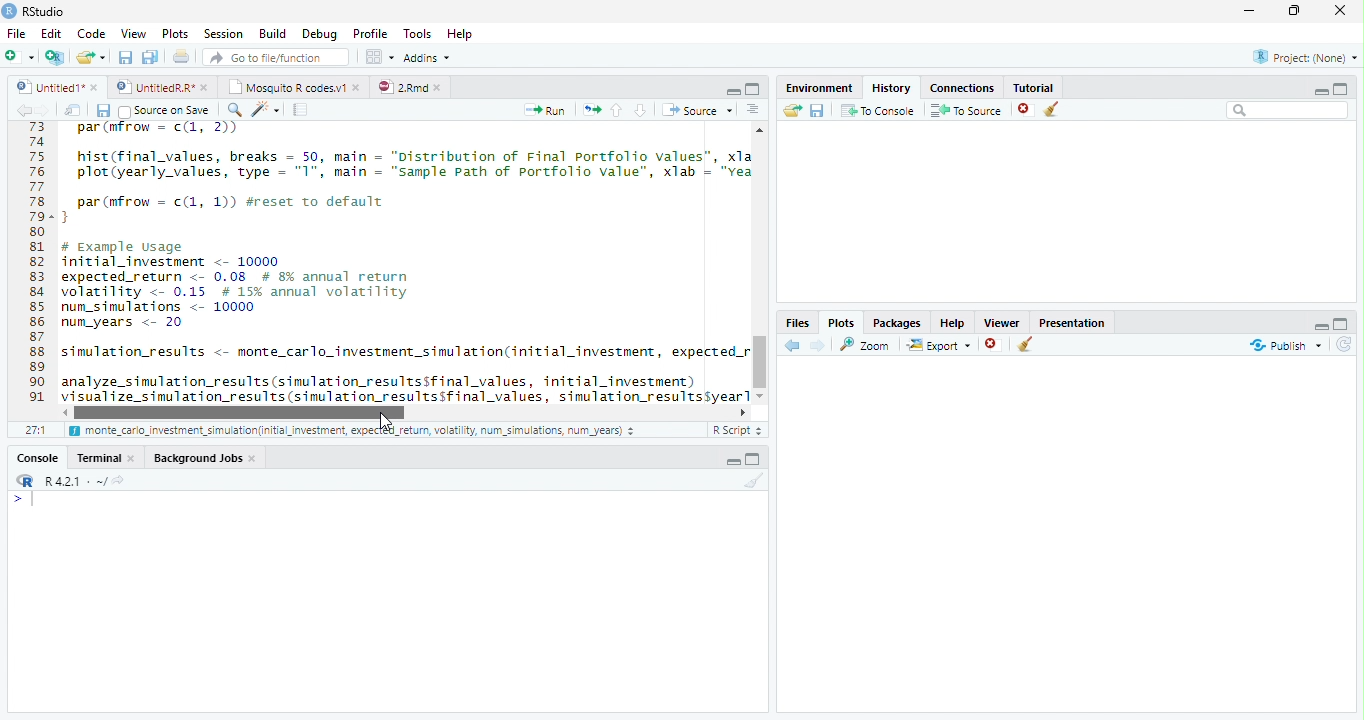 The height and width of the screenshot is (720, 1364). Describe the element at coordinates (793, 345) in the screenshot. I see `Go to previous plot` at that location.